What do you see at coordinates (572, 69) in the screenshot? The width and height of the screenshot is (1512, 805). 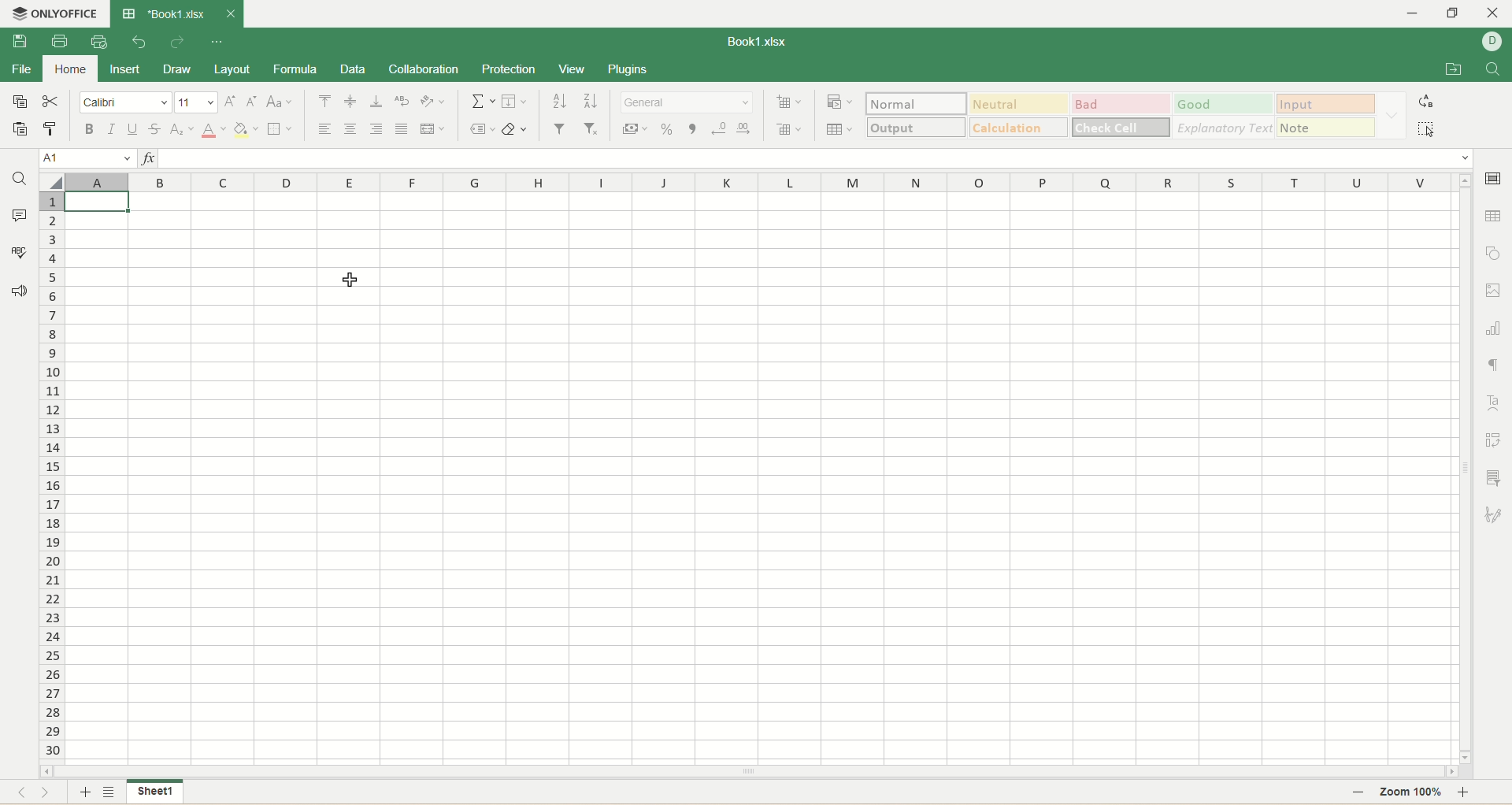 I see `view` at bounding box center [572, 69].